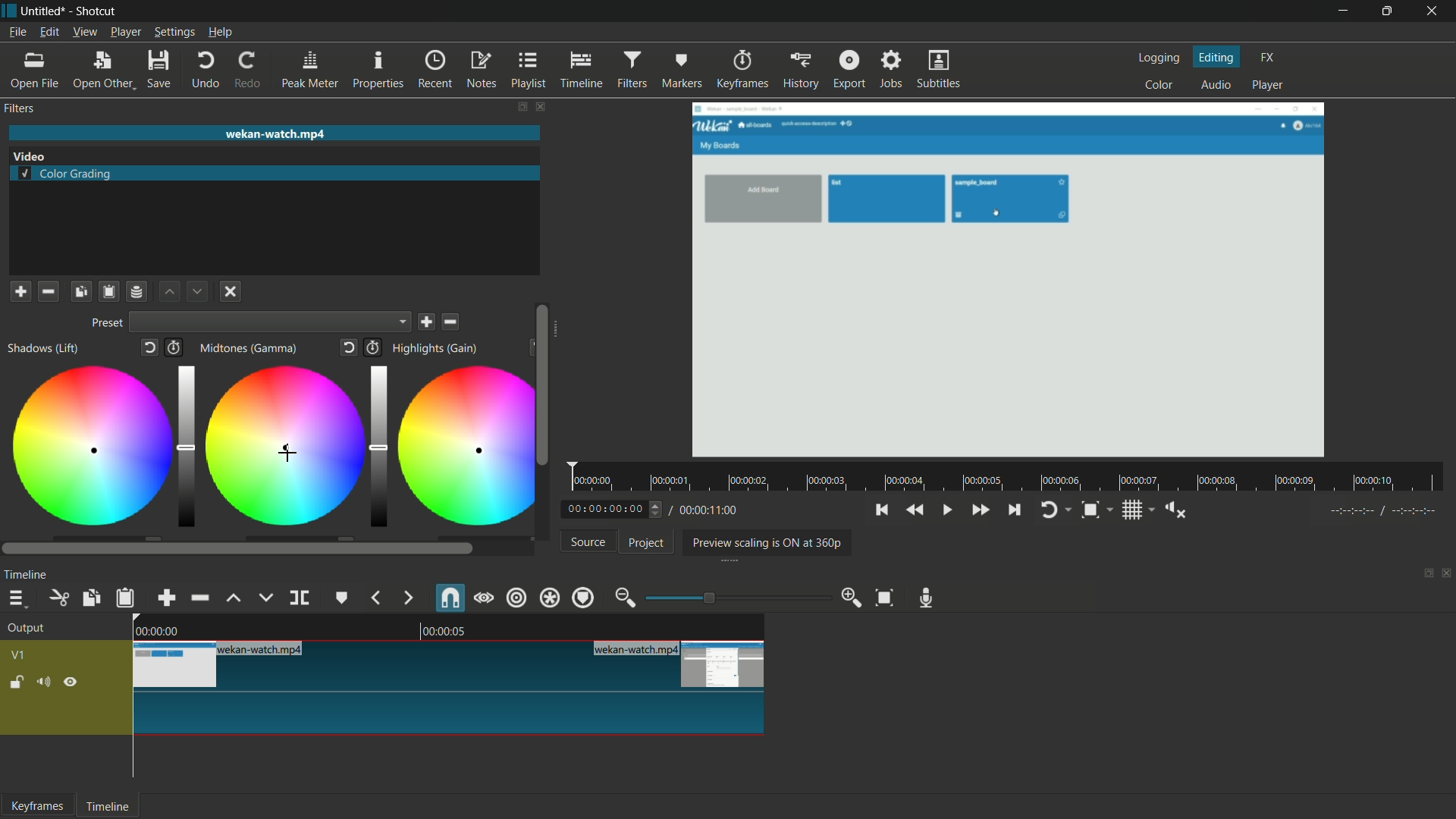 The width and height of the screenshot is (1456, 819). Describe the element at coordinates (881, 510) in the screenshot. I see `skip to the previous point` at that location.